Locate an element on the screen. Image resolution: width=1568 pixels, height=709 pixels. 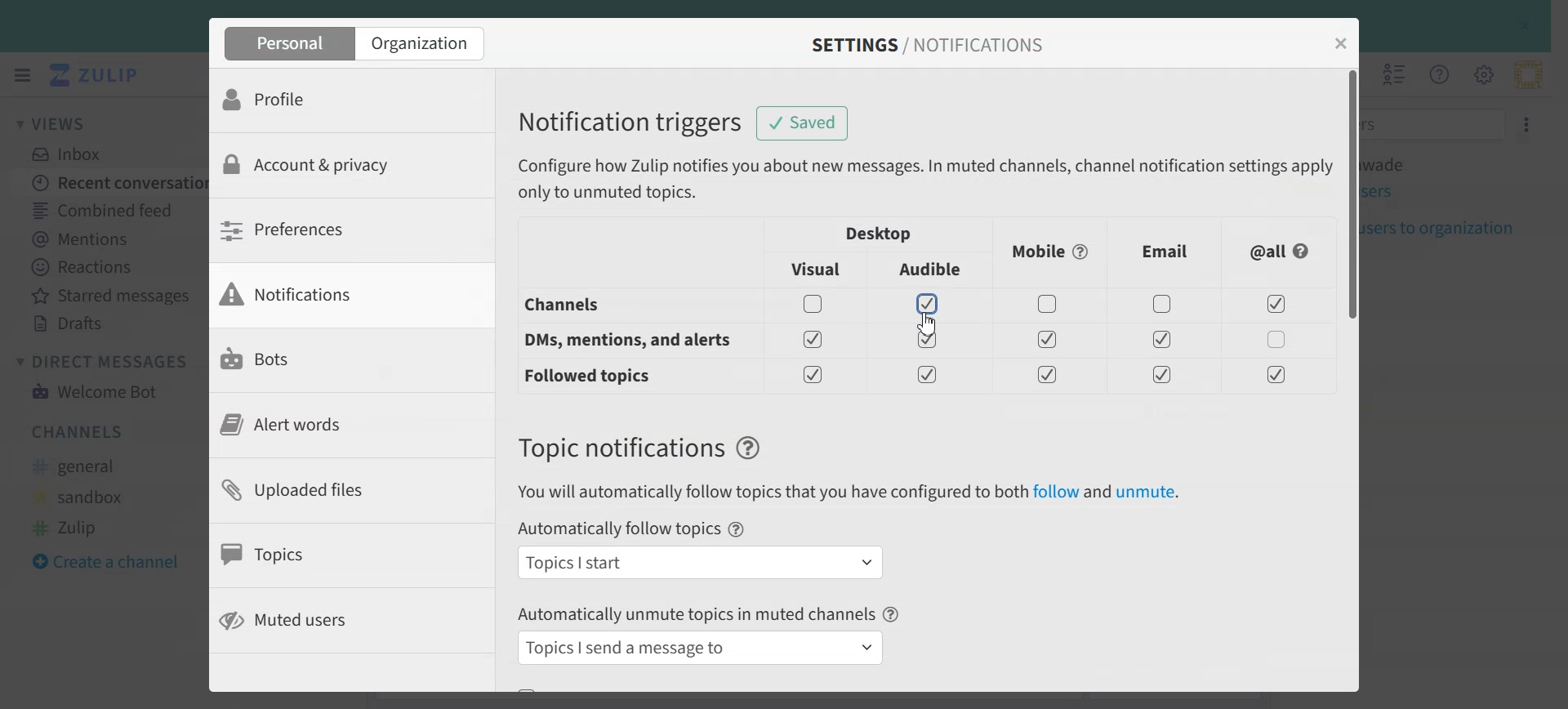
Channels is located at coordinates (80, 431).